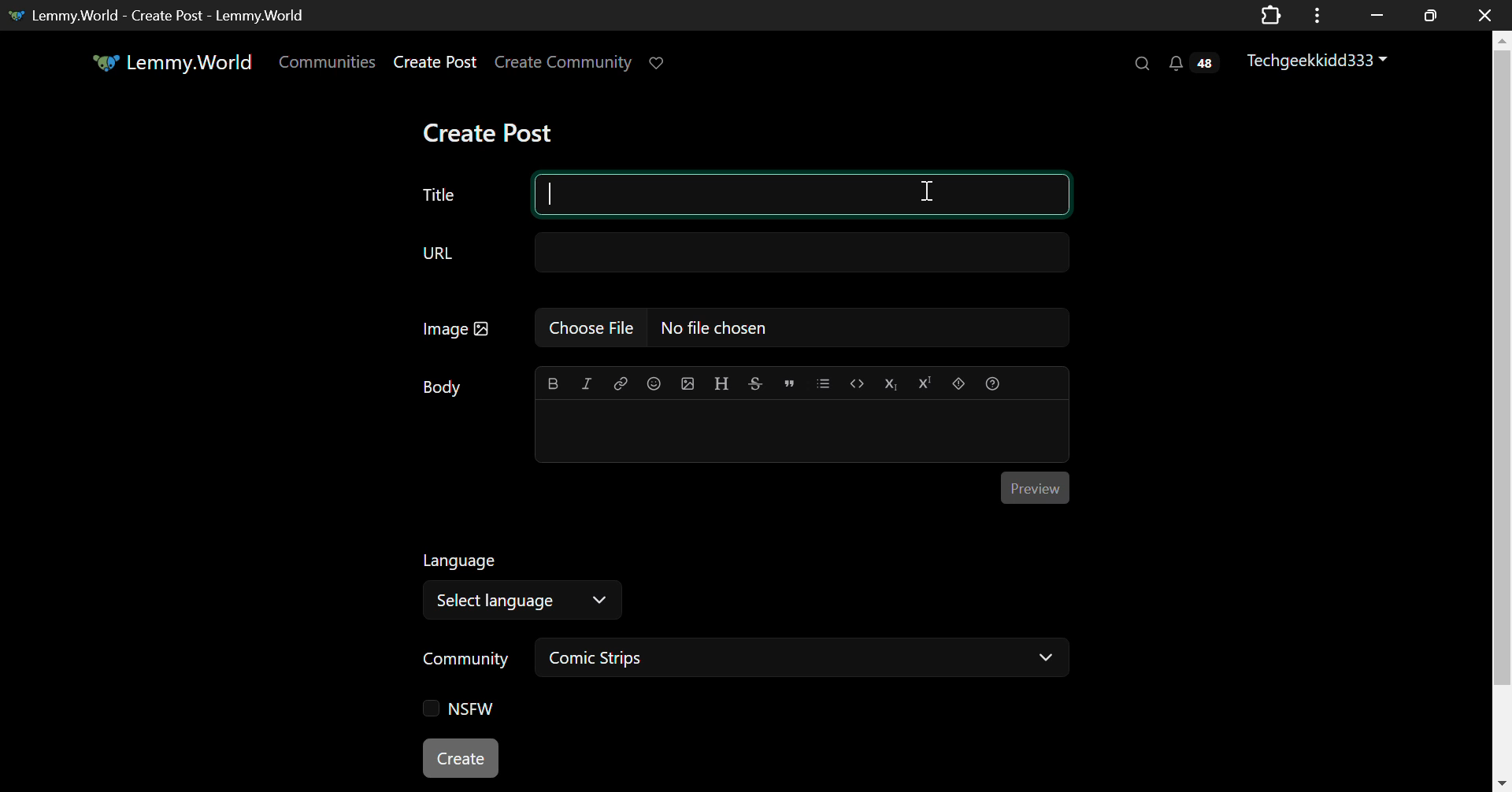 This screenshot has height=792, width=1512. I want to click on Application Extension, so click(1274, 13).